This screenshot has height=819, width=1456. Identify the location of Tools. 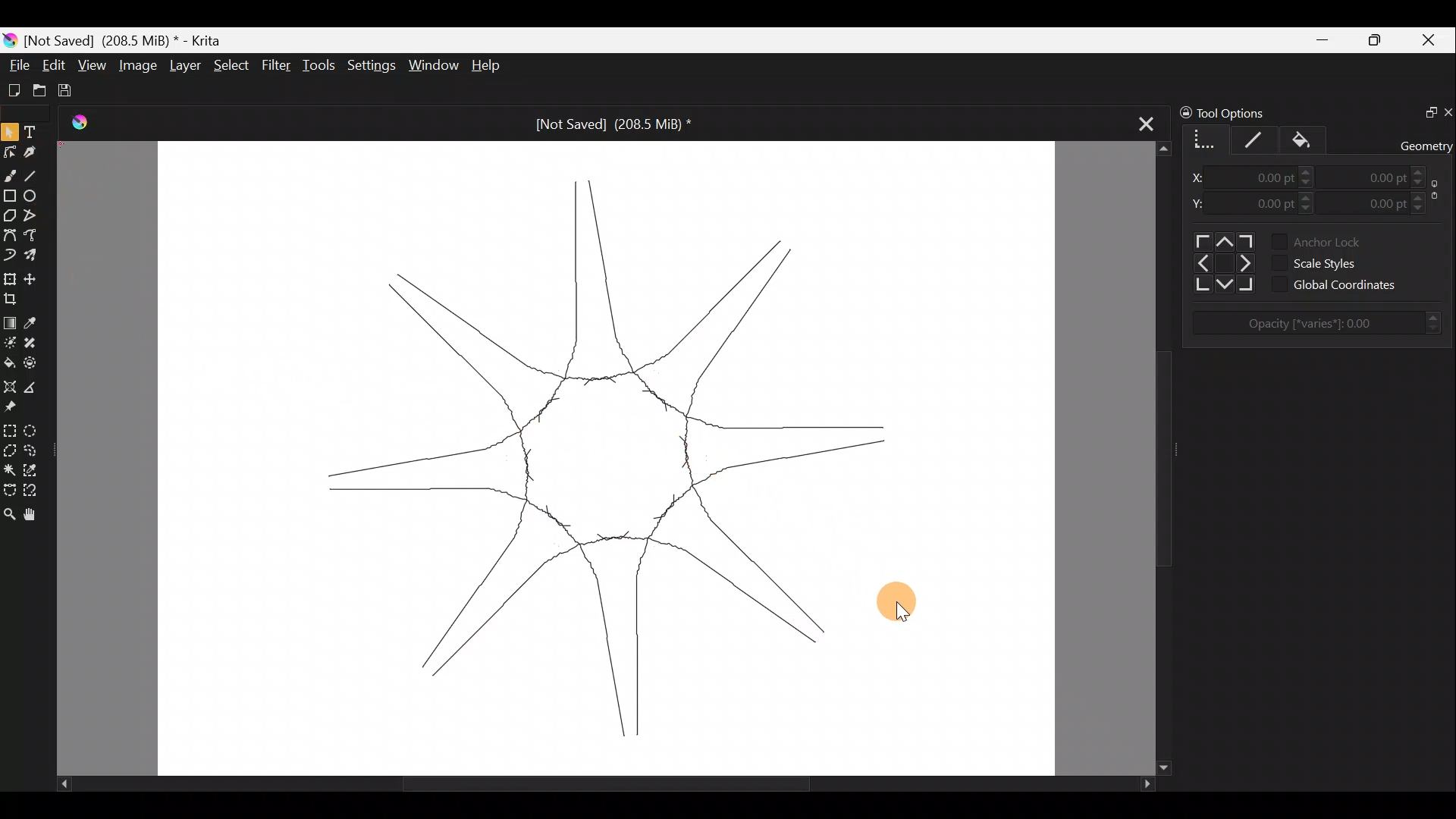
(319, 64).